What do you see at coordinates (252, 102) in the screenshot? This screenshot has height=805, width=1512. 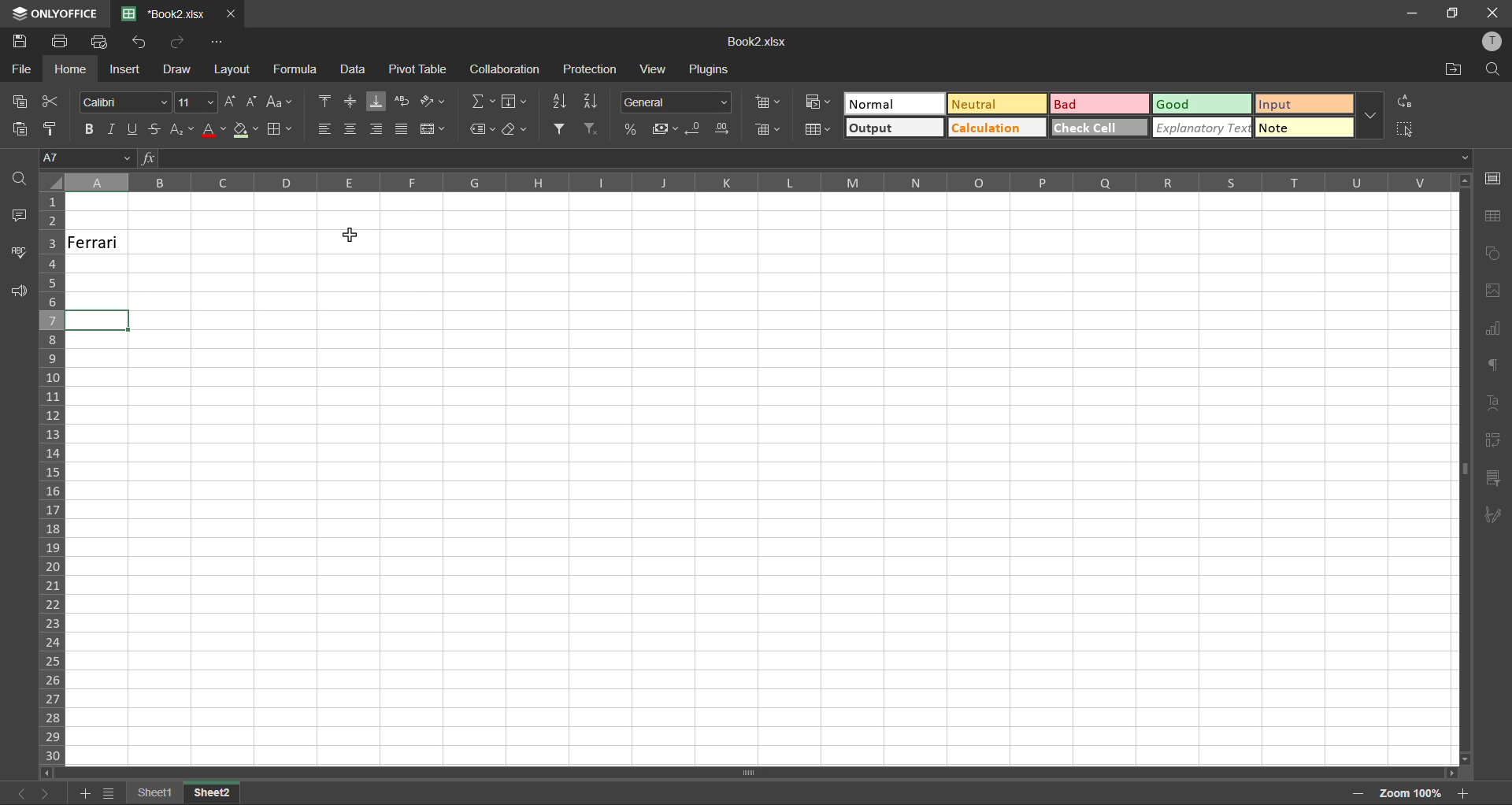 I see `decrement size` at bounding box center [252, 102].